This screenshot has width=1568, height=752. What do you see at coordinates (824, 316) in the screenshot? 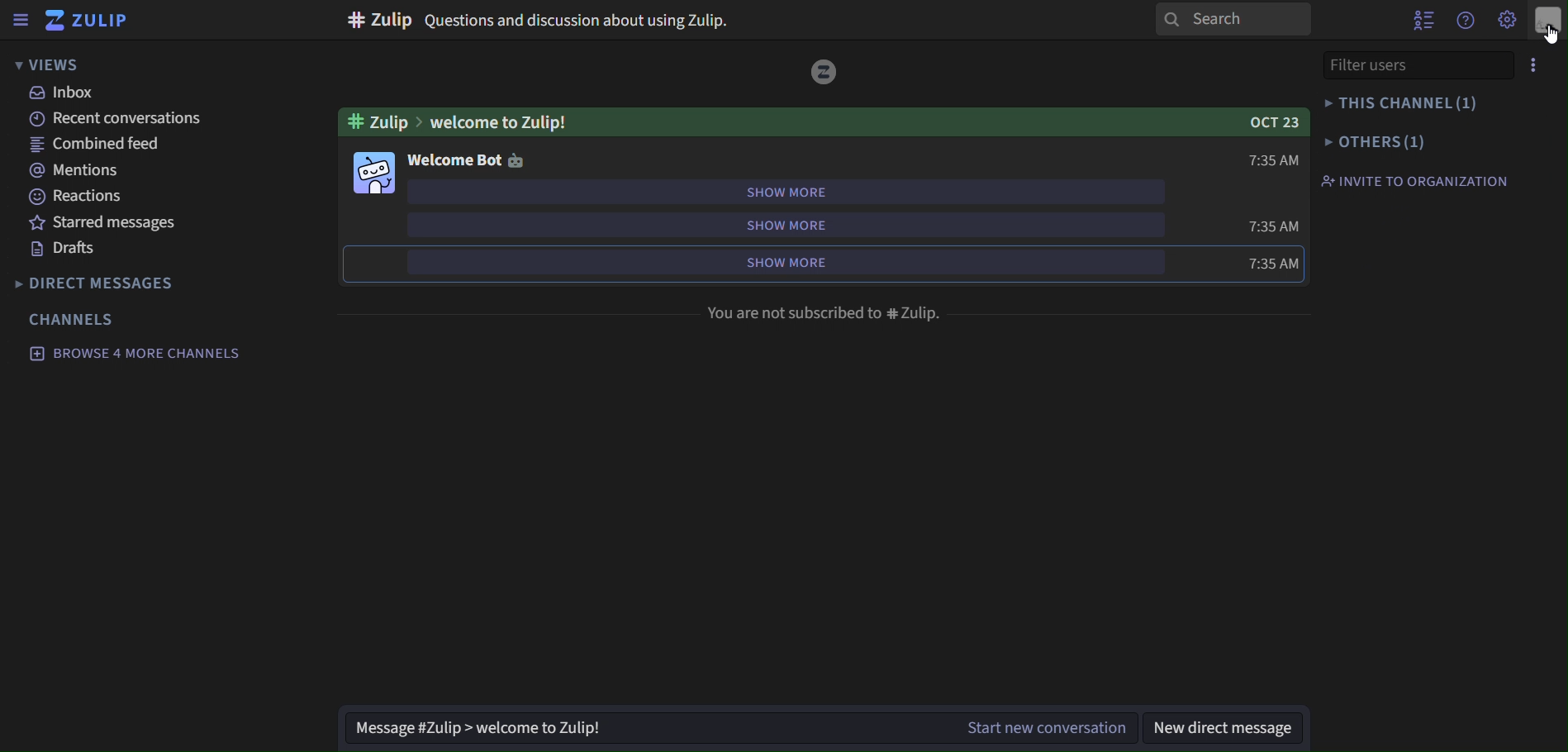
I see `you are not subscribed to #Zulip.` at bounding box center [824, 316].